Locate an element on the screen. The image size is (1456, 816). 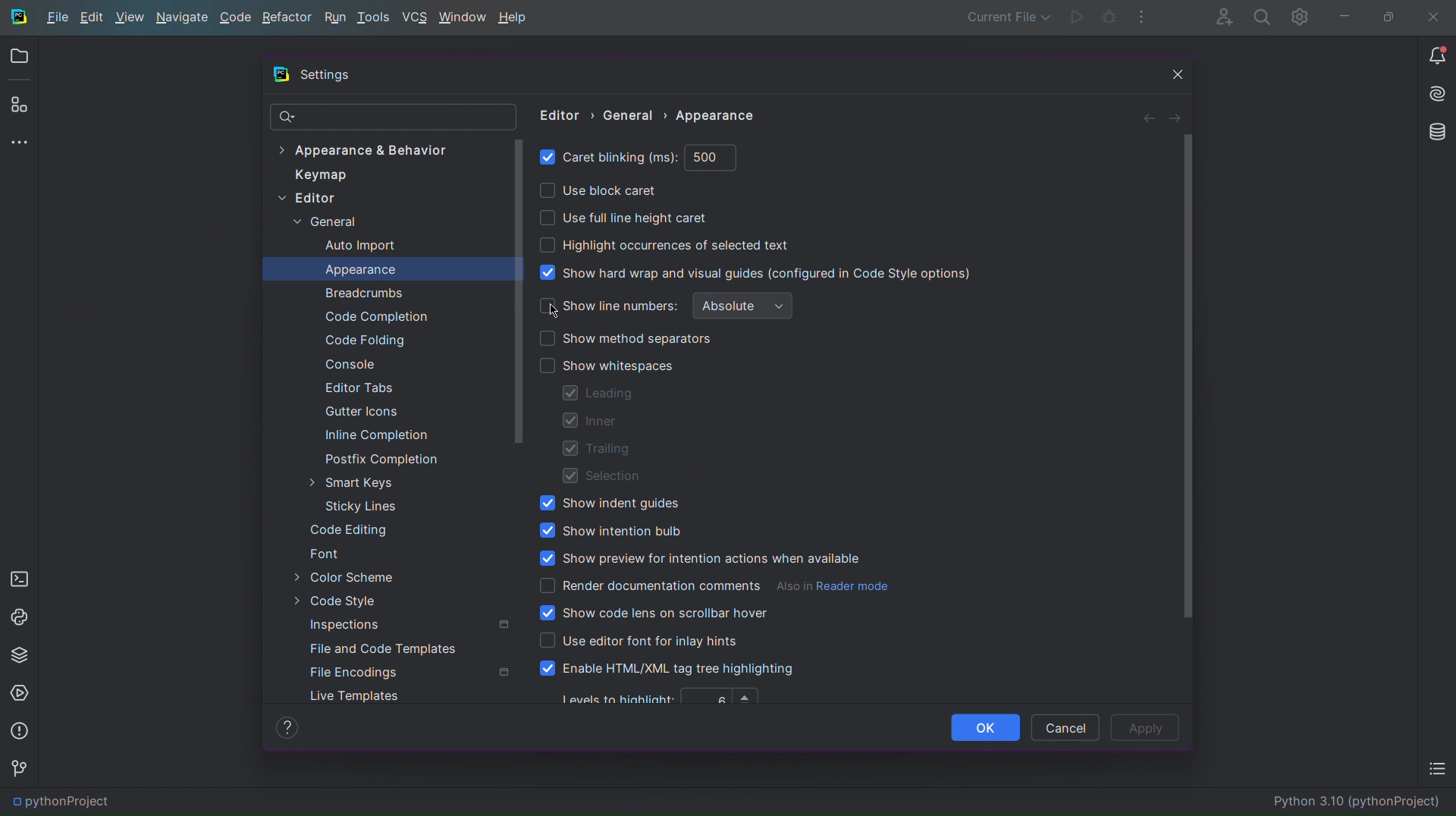
Editor is located at coordinates (313, 200).